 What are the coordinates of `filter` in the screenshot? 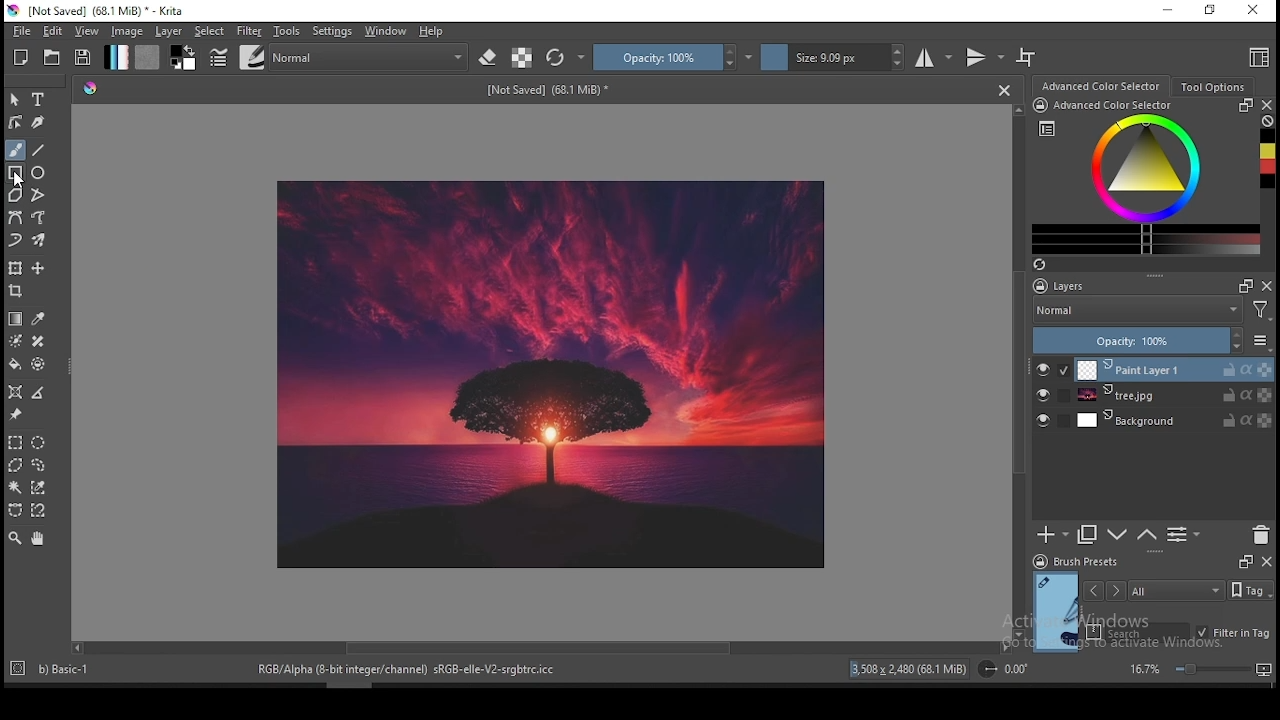 It's located at (249, 30).